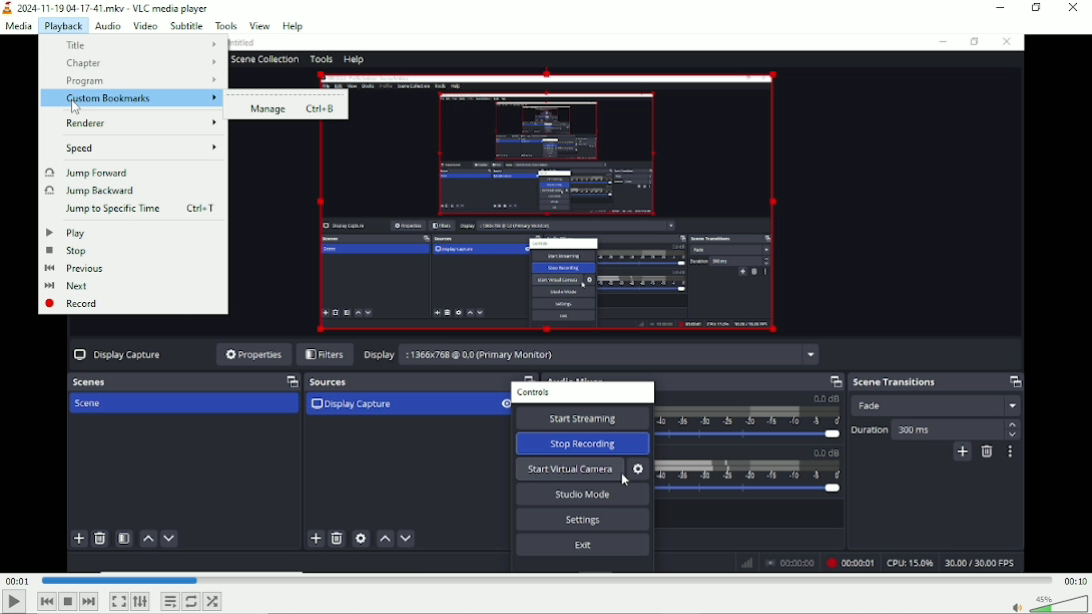 The height and width of the screenshot is (614, 1092). Describe the element at coordinates (119, 601) in the screenshot. I see `Toggle video in fullscreen` at that location.